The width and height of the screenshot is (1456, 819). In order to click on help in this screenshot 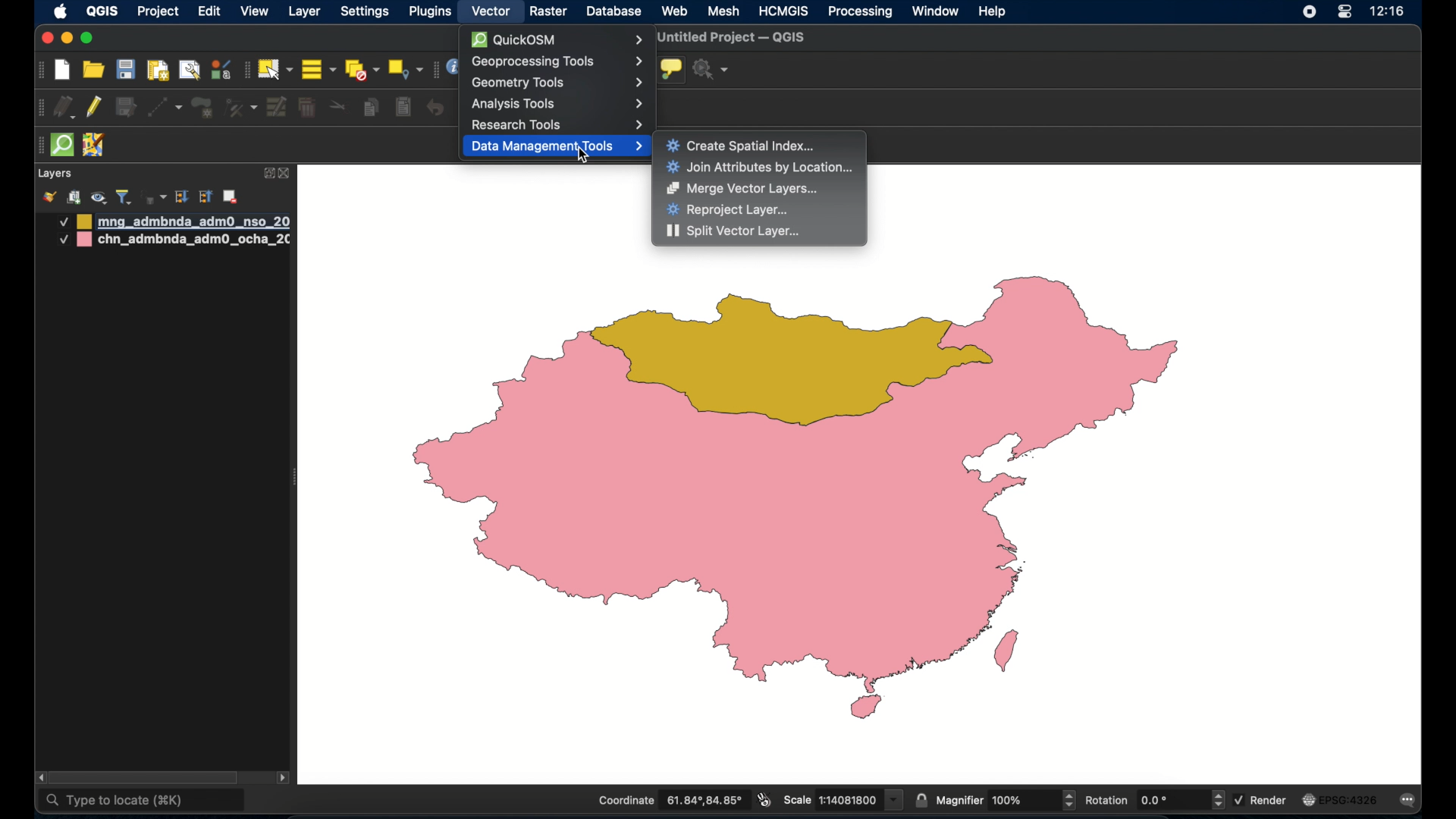, I will do `click(993, 11)`.